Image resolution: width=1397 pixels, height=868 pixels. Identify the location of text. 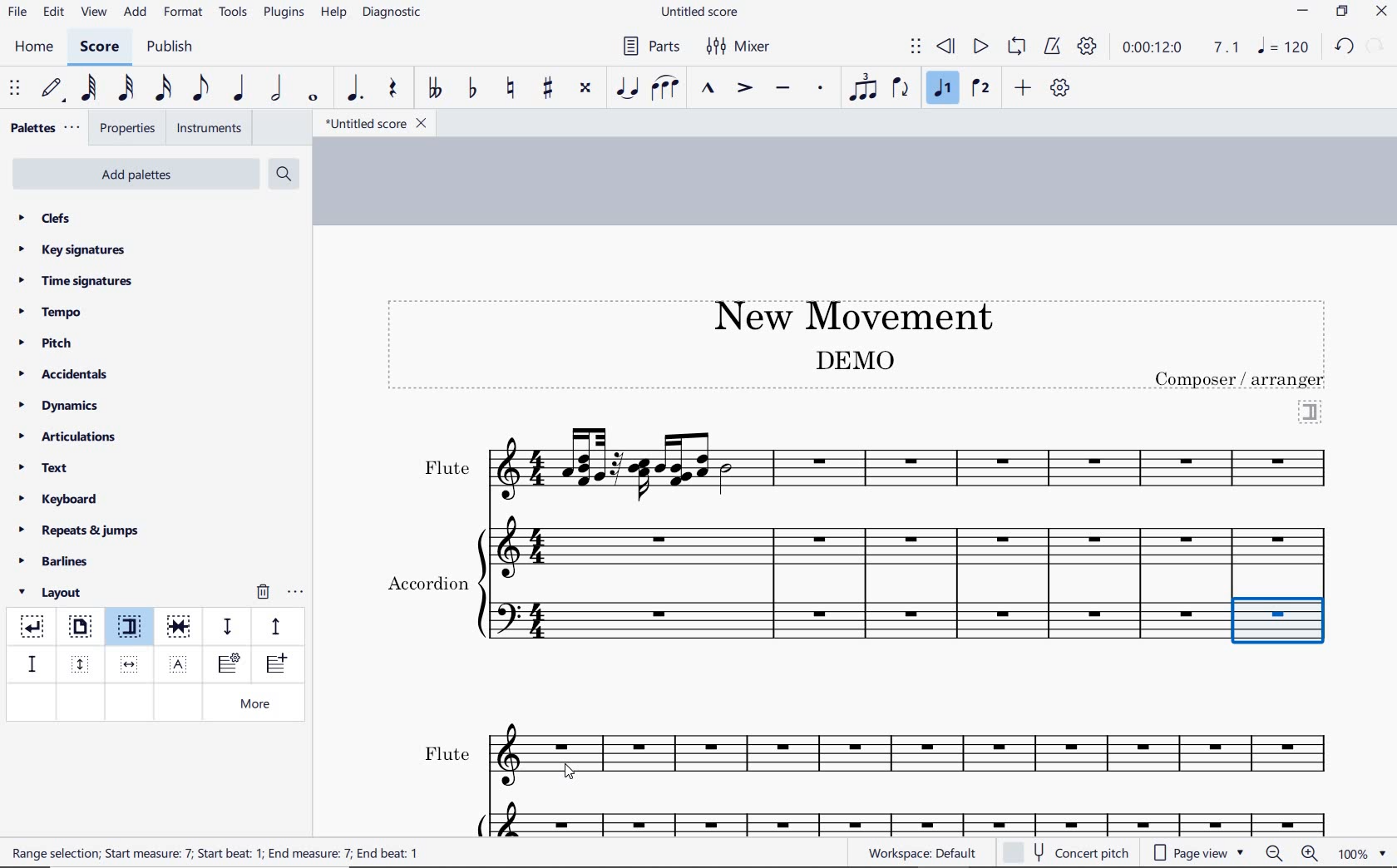
(217, 852).